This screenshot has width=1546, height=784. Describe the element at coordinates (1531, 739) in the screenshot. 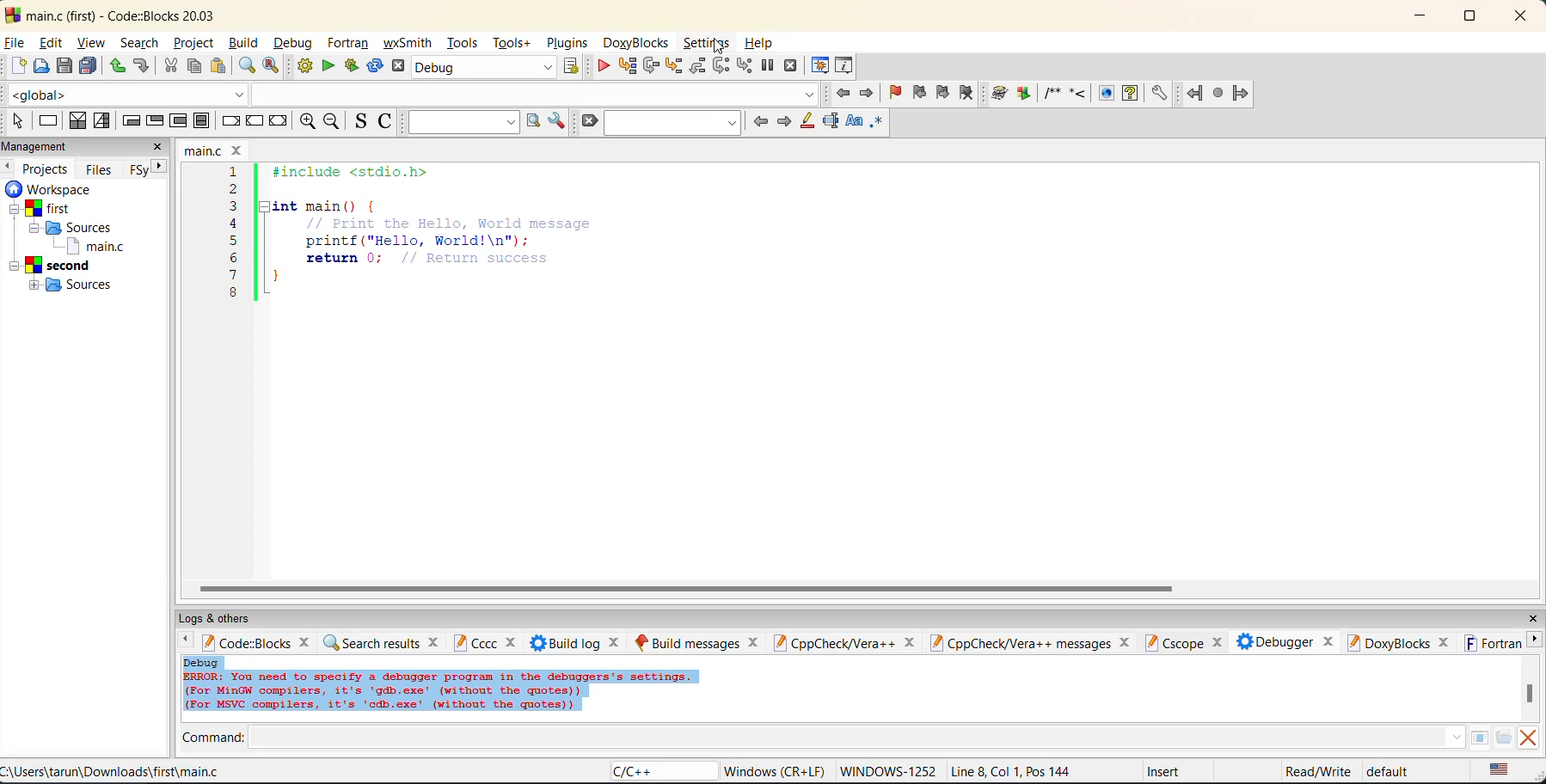

I see `clear output window` at that location.